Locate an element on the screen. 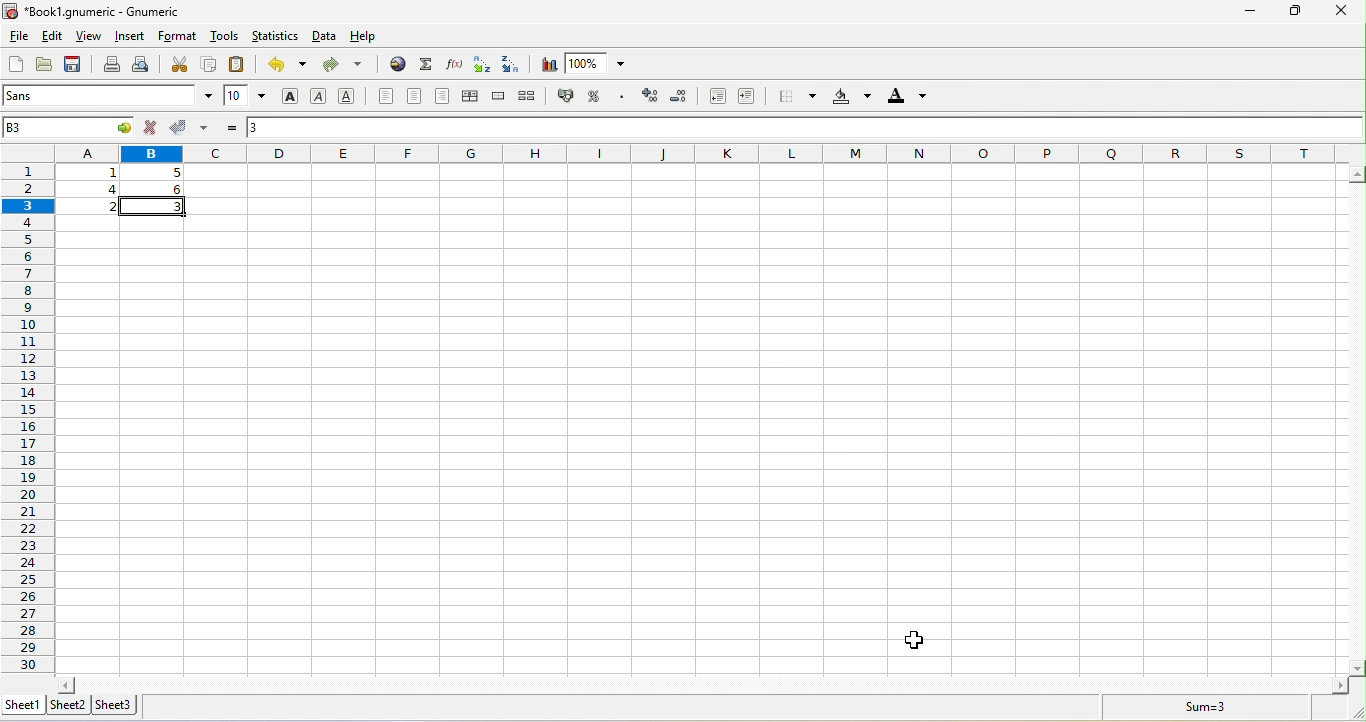  sheet 2 is located at coordinates (73, 705).